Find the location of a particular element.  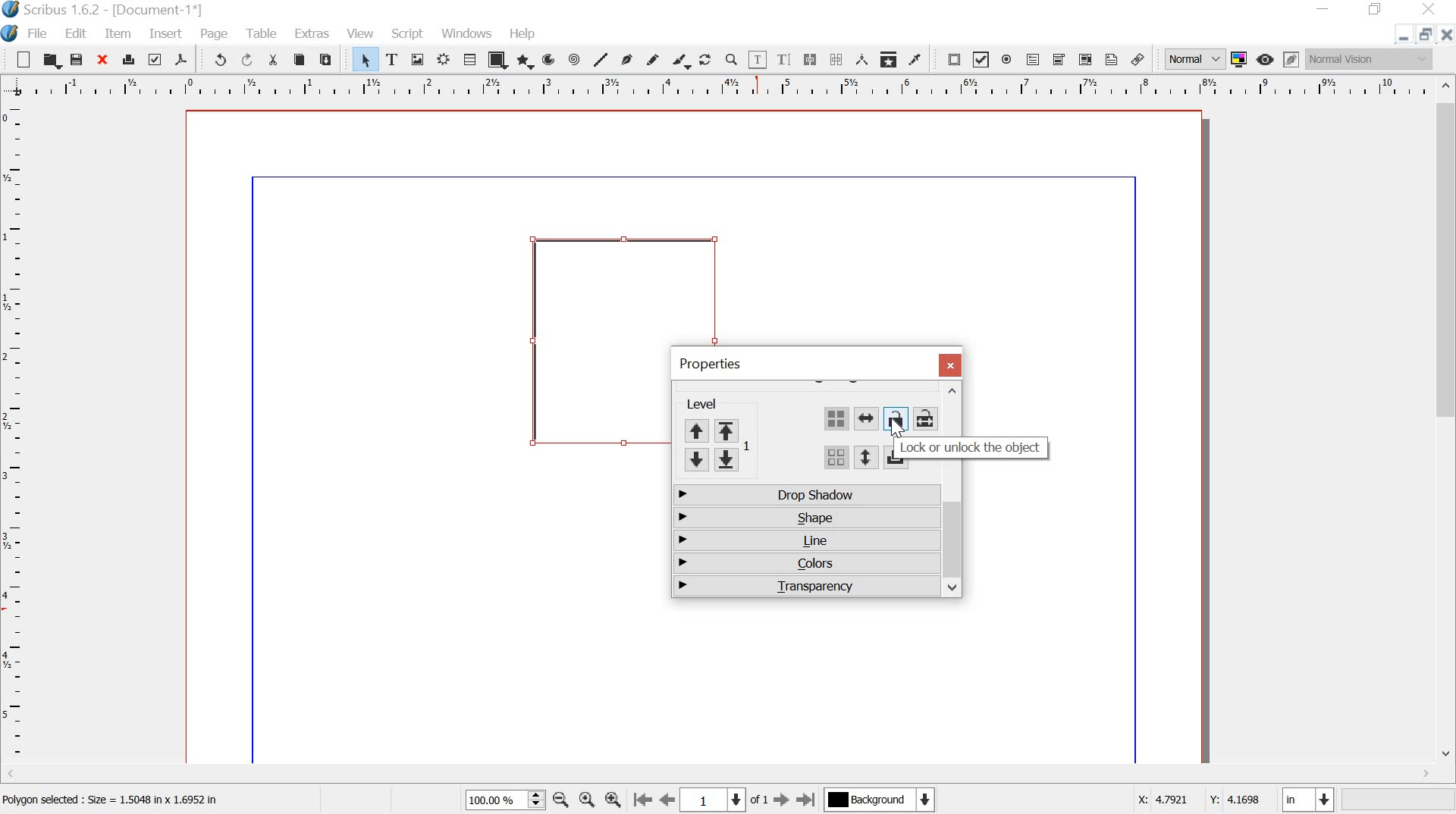

pdf list box is located at coordinates (1084, 60).